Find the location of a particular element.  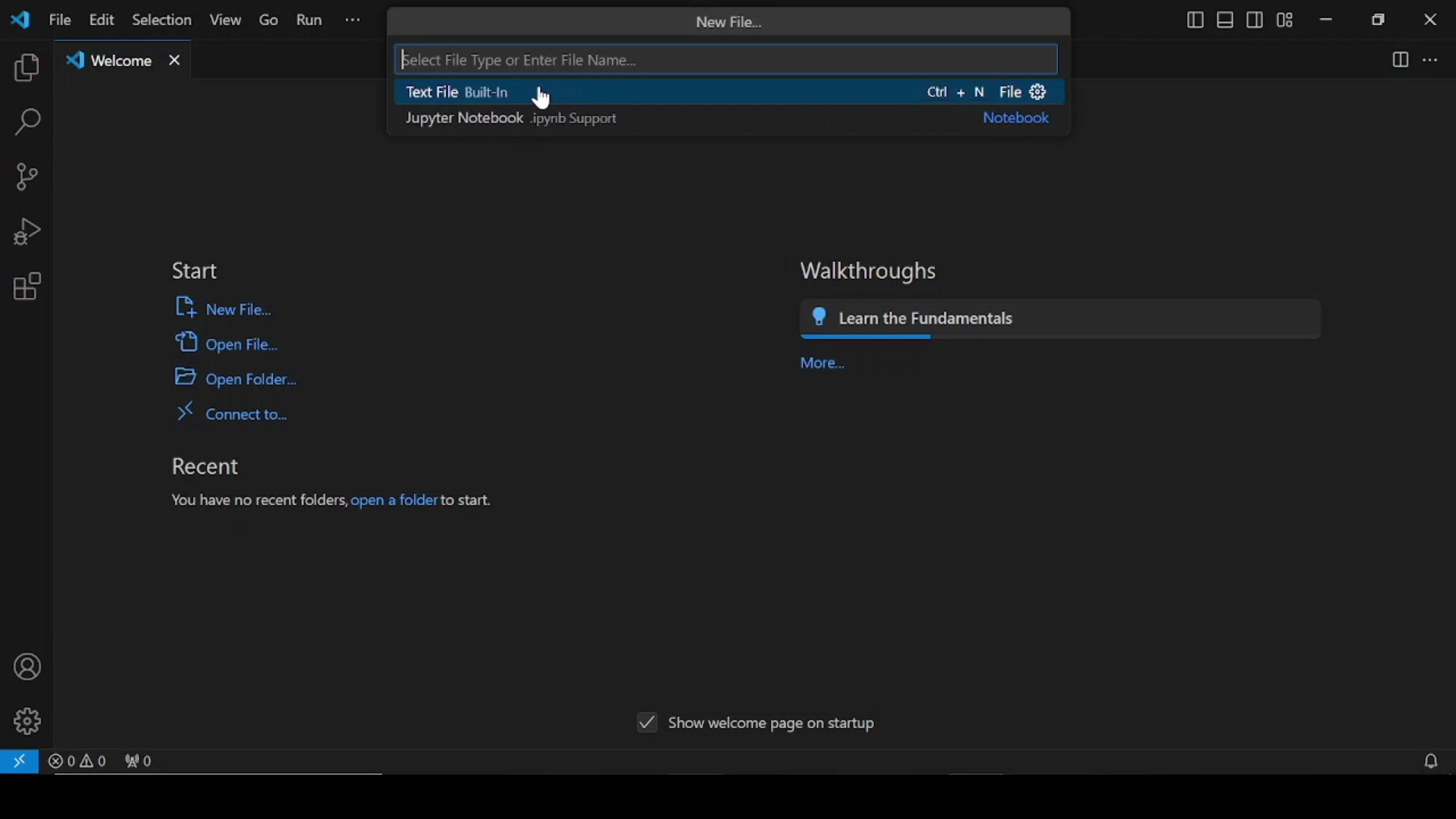

elect File Type or Enter File Name... is located at coordinates (531, 59).